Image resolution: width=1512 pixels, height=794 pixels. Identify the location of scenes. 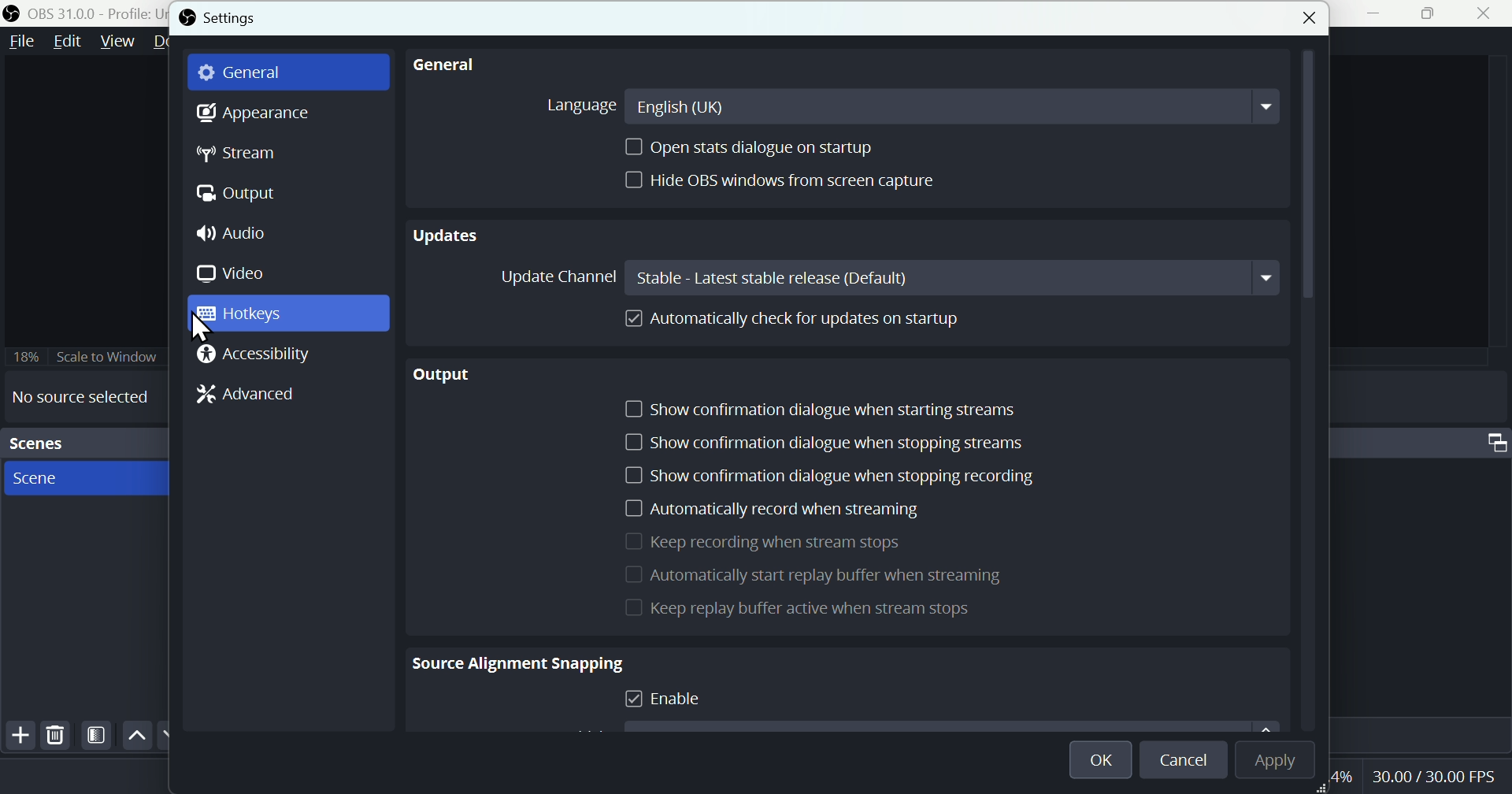
(83, 477).